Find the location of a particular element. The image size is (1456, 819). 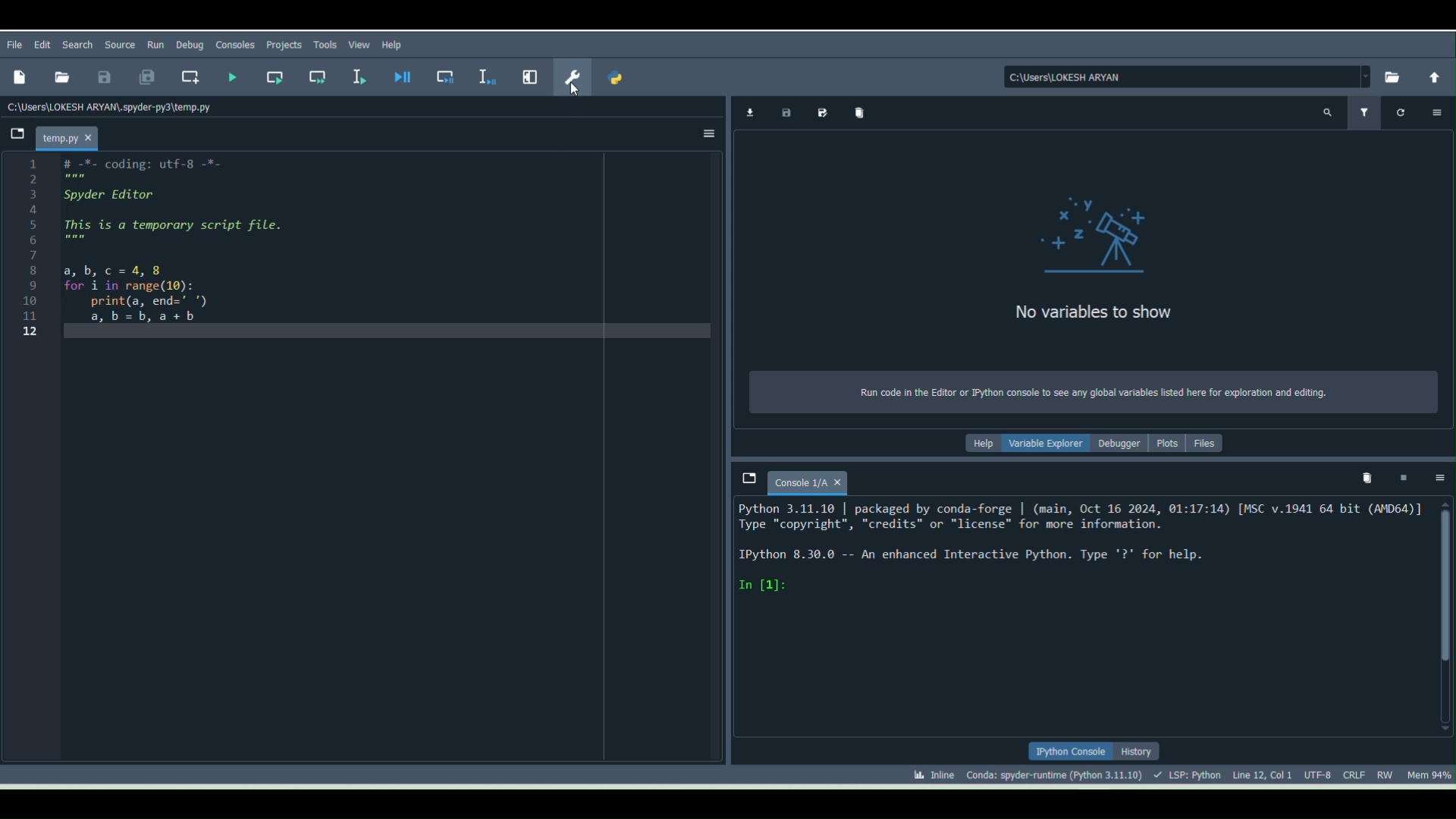

Completions, linting, code folding and symbols status is located at coordinates (1189, 773).